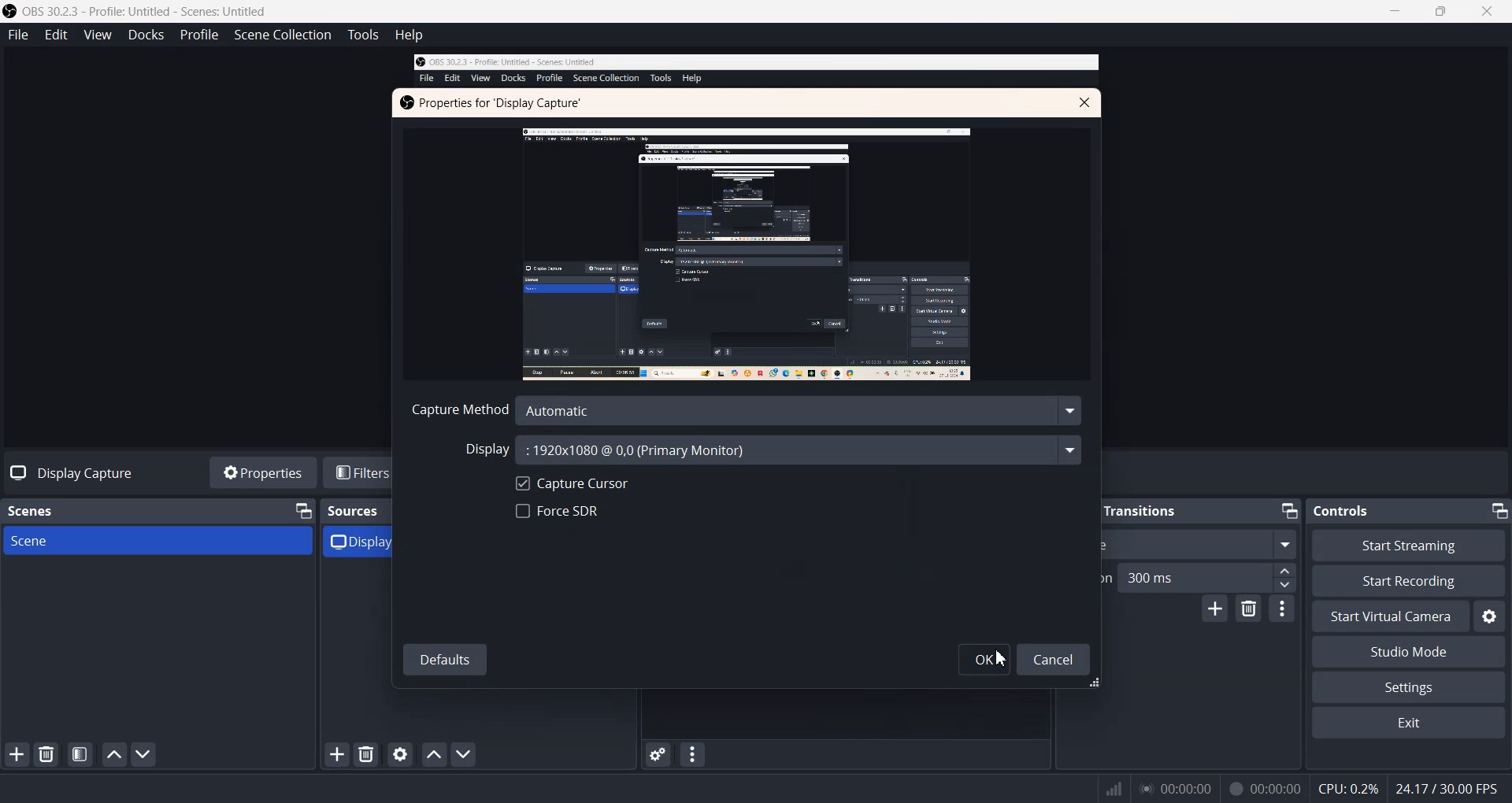 The width and height of the screenshot is (1512, 803). Describe the element at coordinates (1003, 659) in the screenshot. I see `Cursor` at that location.